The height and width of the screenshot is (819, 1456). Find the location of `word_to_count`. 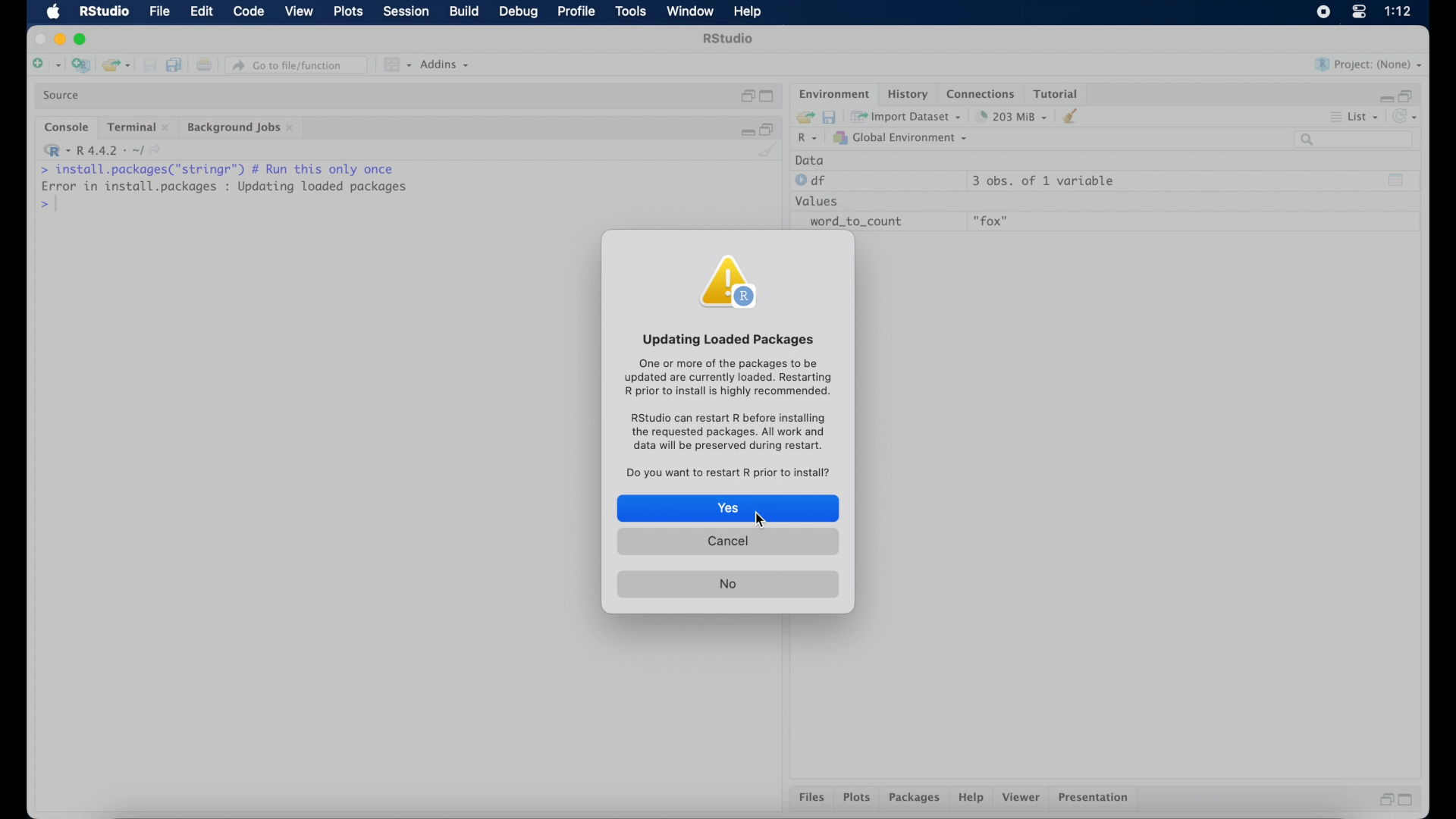

word_to_count is located at coordinates (854, 222).